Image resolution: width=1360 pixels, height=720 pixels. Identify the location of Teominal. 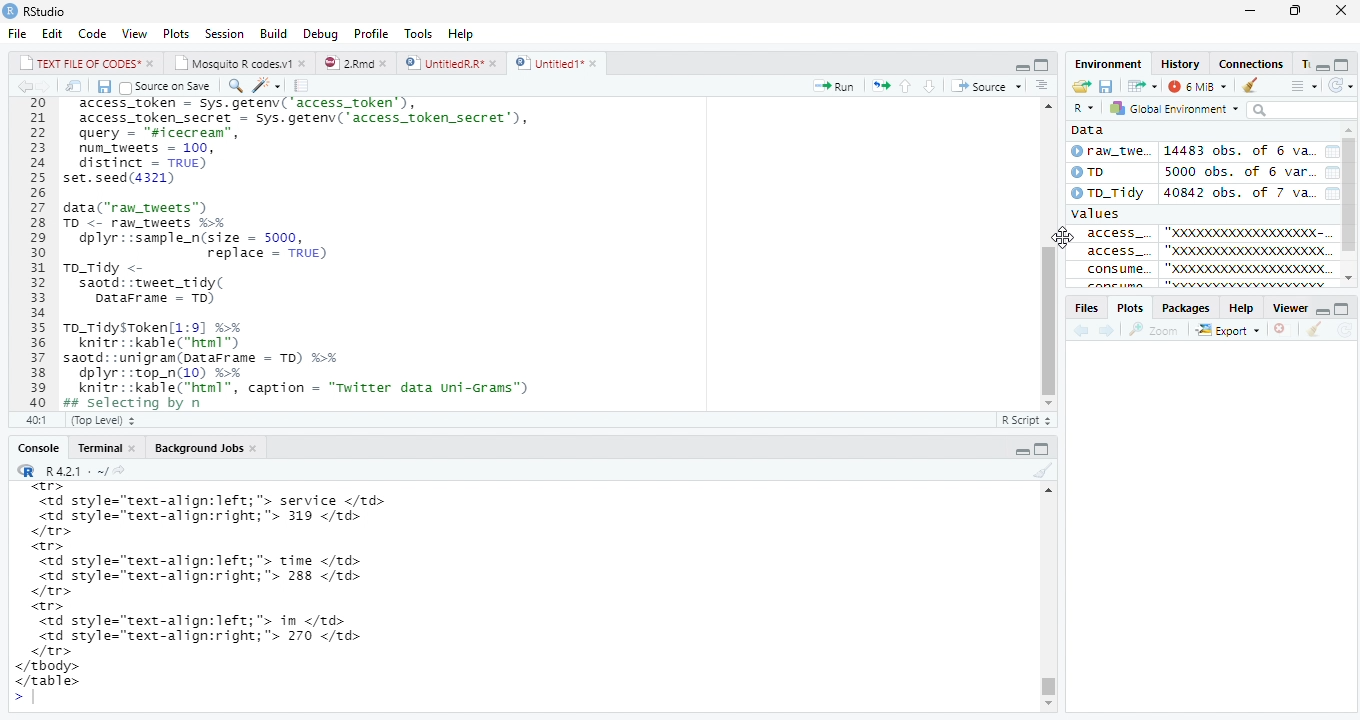
(105, 445).